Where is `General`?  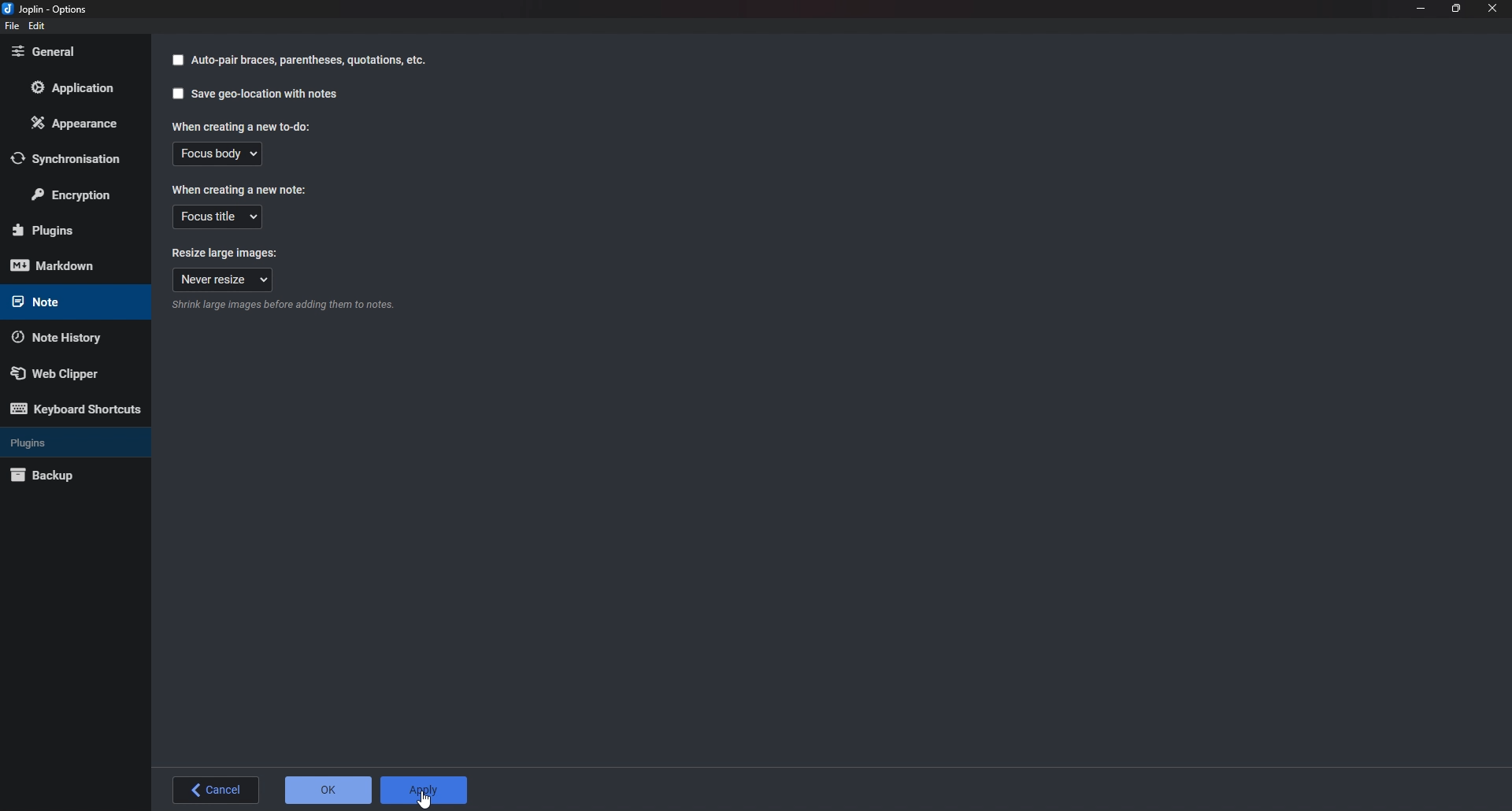 General is located at coordinates (67, 52).